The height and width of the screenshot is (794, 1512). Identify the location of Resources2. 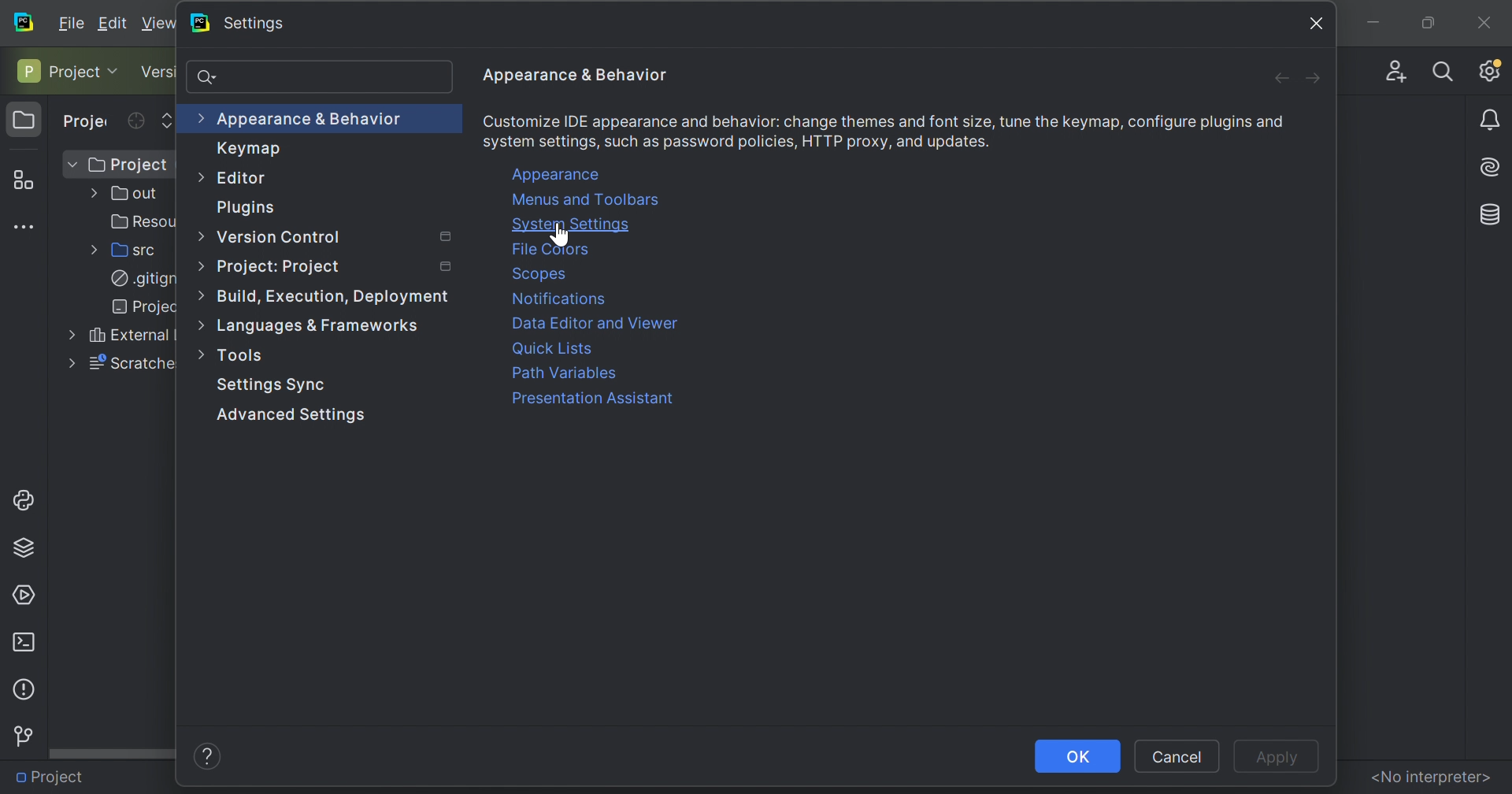
(137, 221).